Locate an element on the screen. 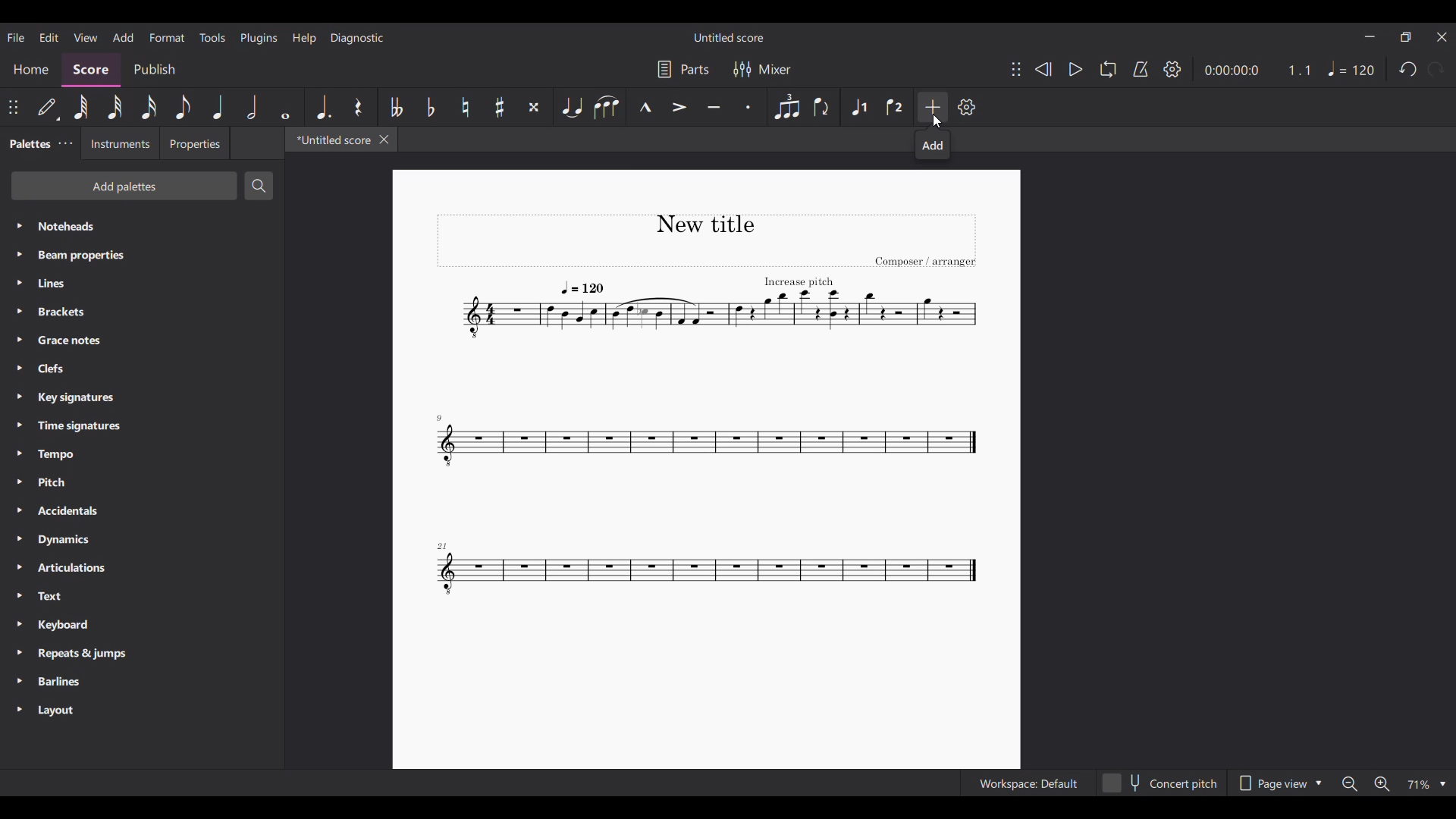 This screenshot has height=819, width=1456. Play is located at coordinates (1075, 69).